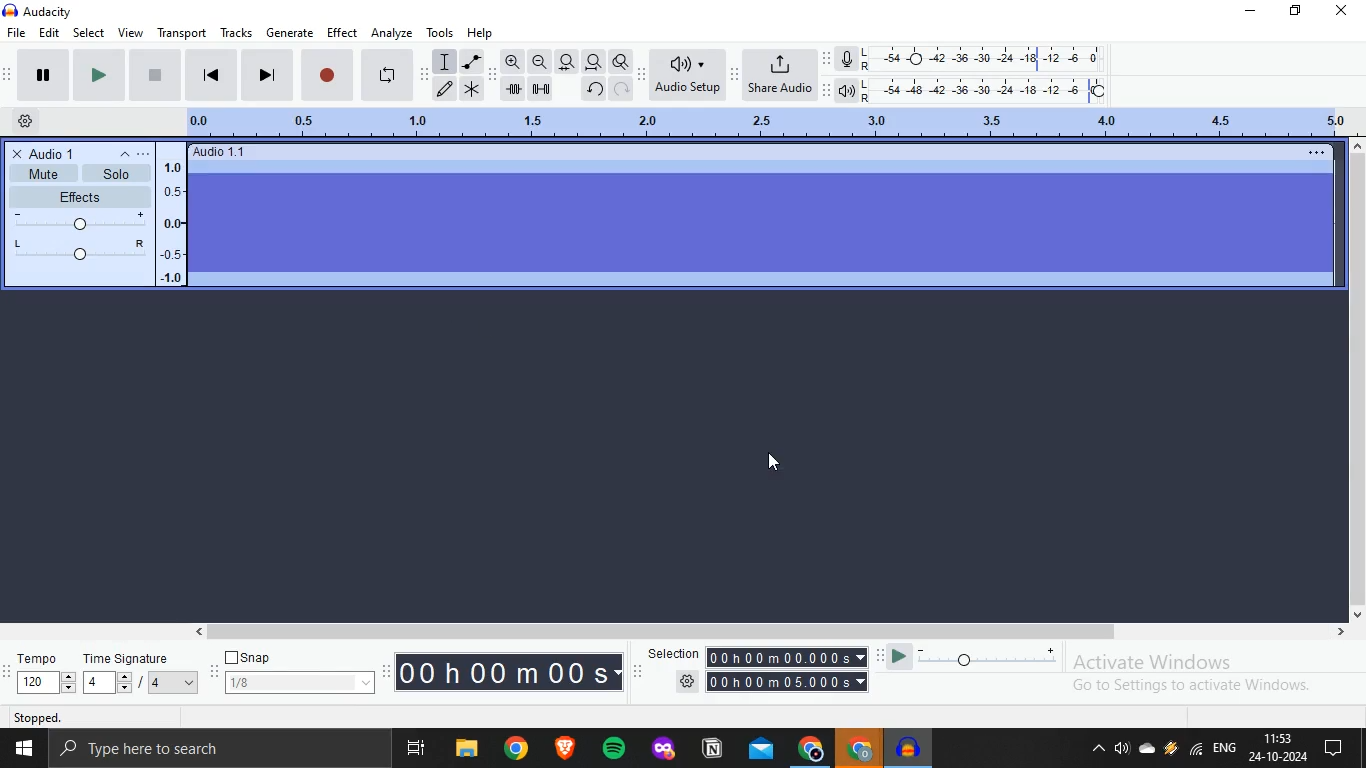 The width and height of the screenshot is (1366, 768). Describe the element at coordinates (90, 33) in the screenshot. I see `Select` at that location.